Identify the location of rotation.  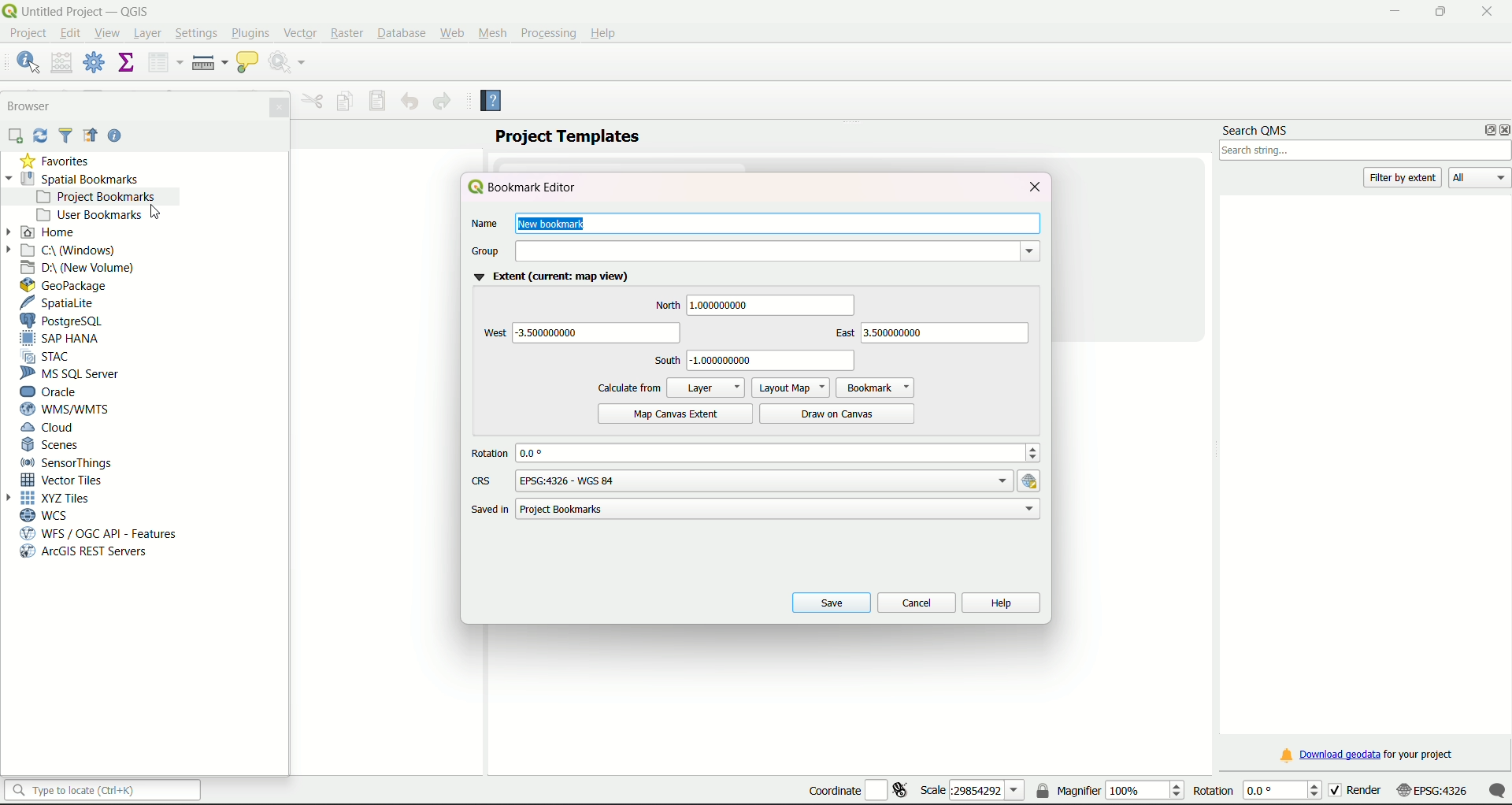
(752, 453).